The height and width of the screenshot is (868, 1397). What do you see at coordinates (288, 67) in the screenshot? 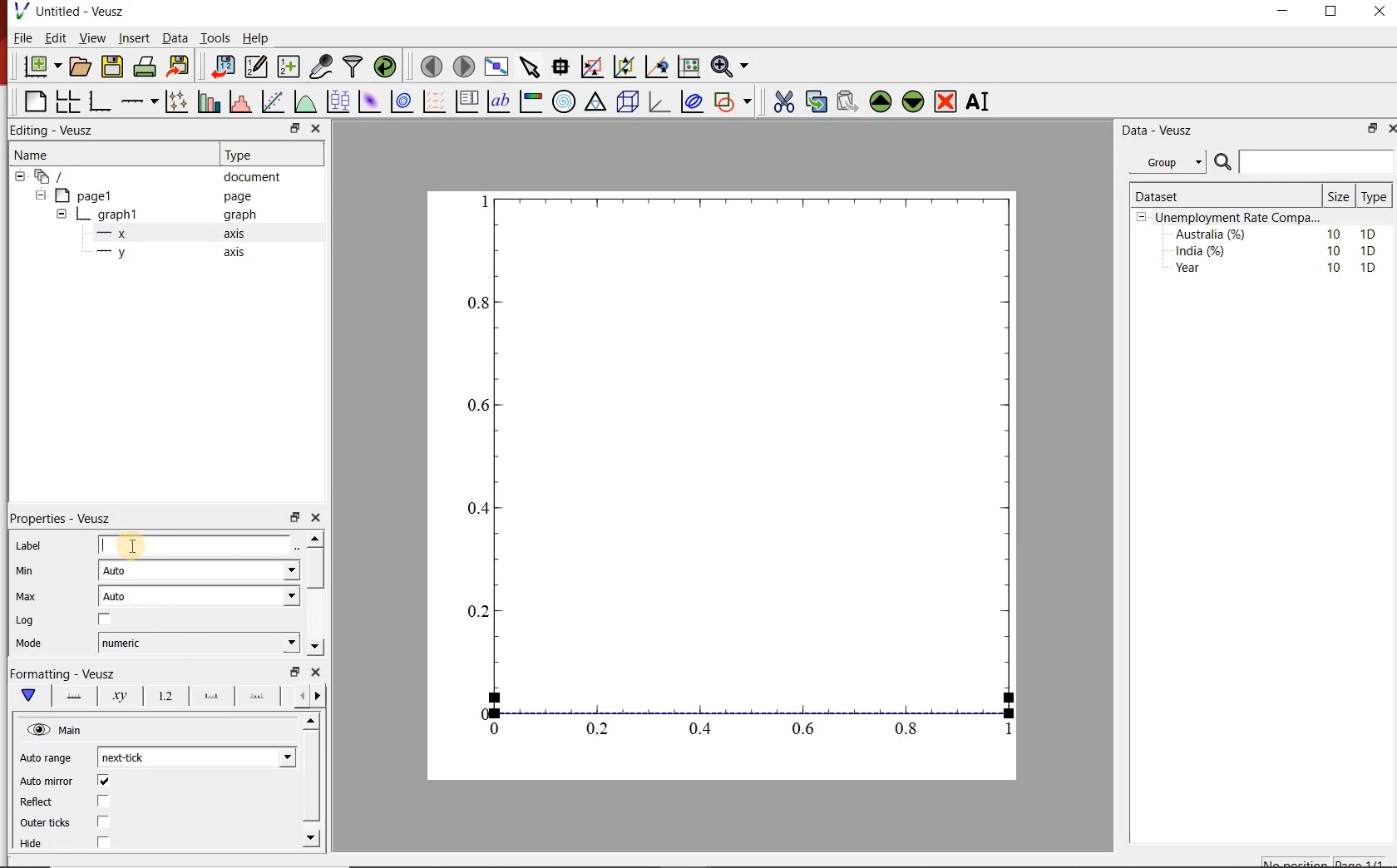
I see `create new datasets` at bounding box center [288, 67].